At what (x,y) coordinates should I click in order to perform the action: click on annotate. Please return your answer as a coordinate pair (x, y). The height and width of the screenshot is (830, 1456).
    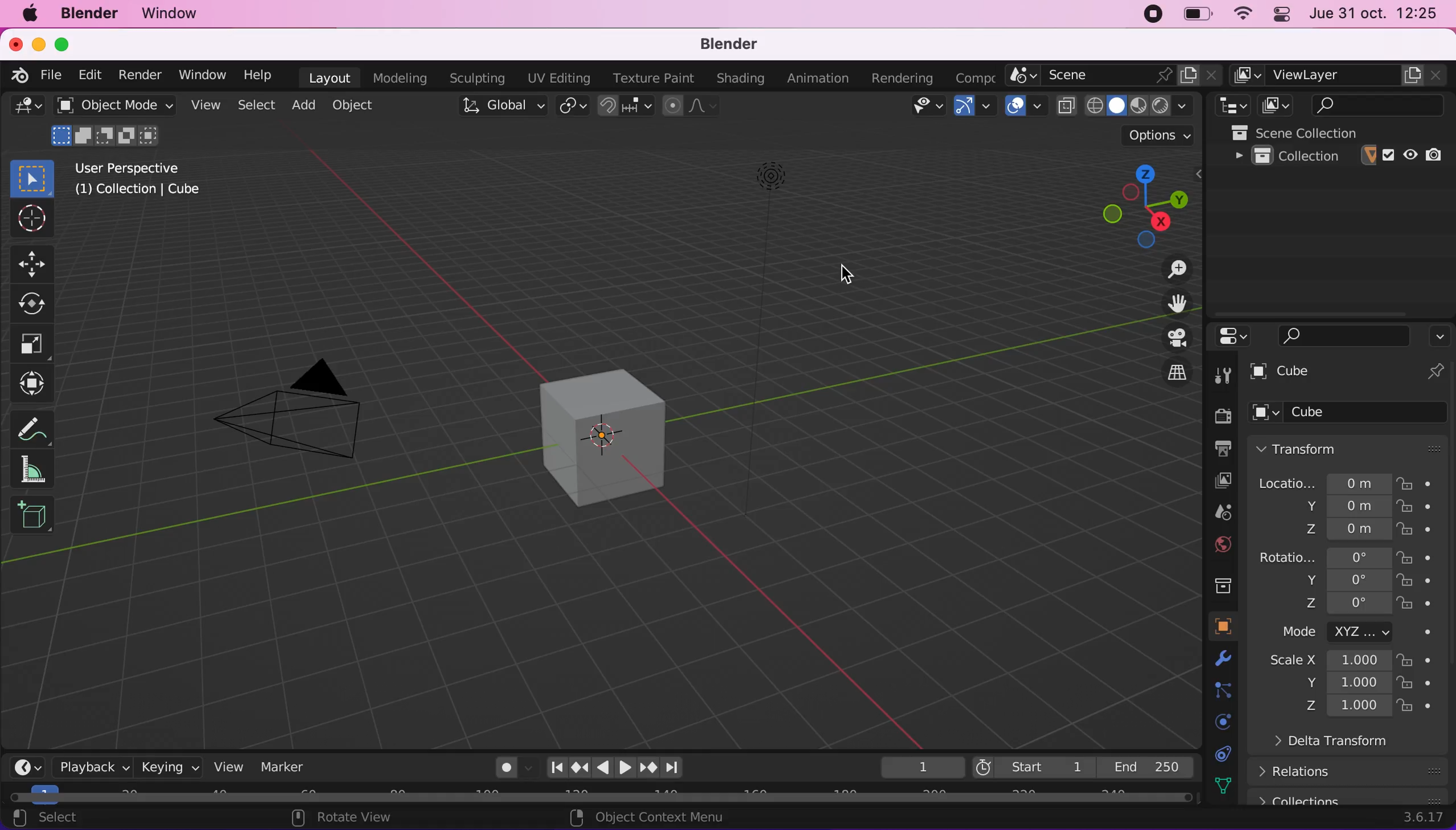
    Looking at the image, I should click on (40, 470).